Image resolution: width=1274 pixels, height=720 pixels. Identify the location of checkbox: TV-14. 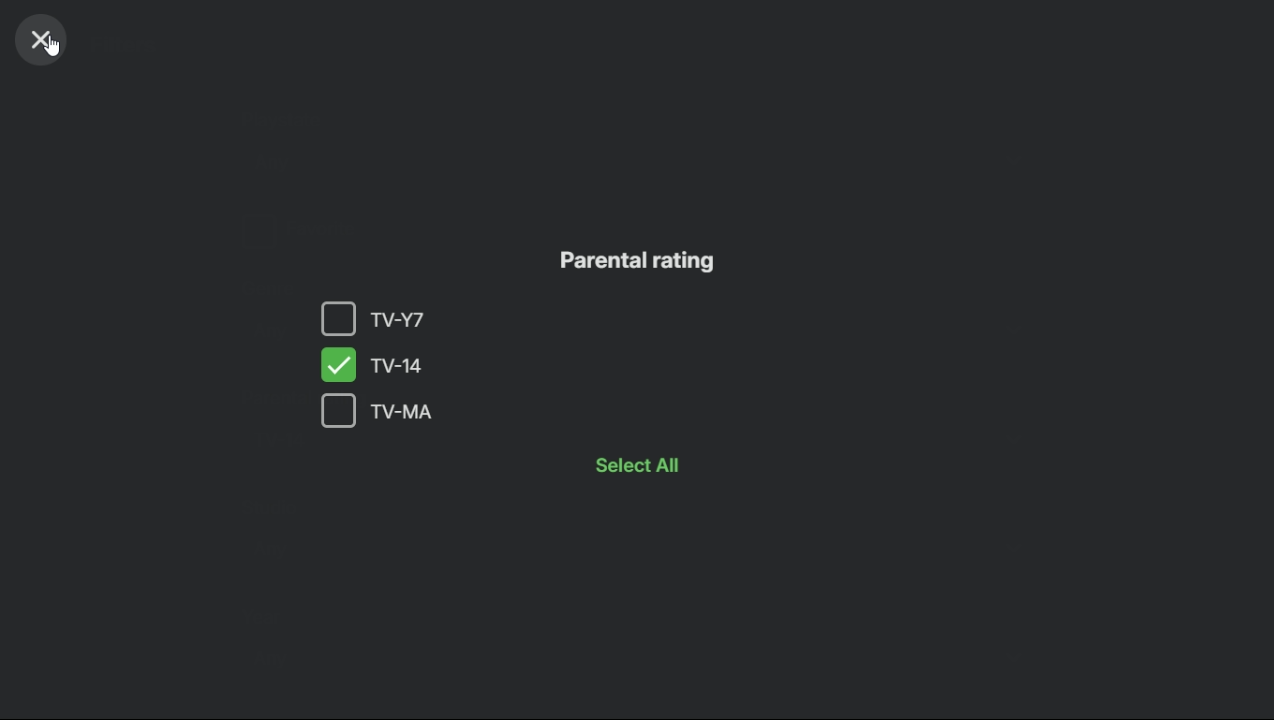
(398, 364).